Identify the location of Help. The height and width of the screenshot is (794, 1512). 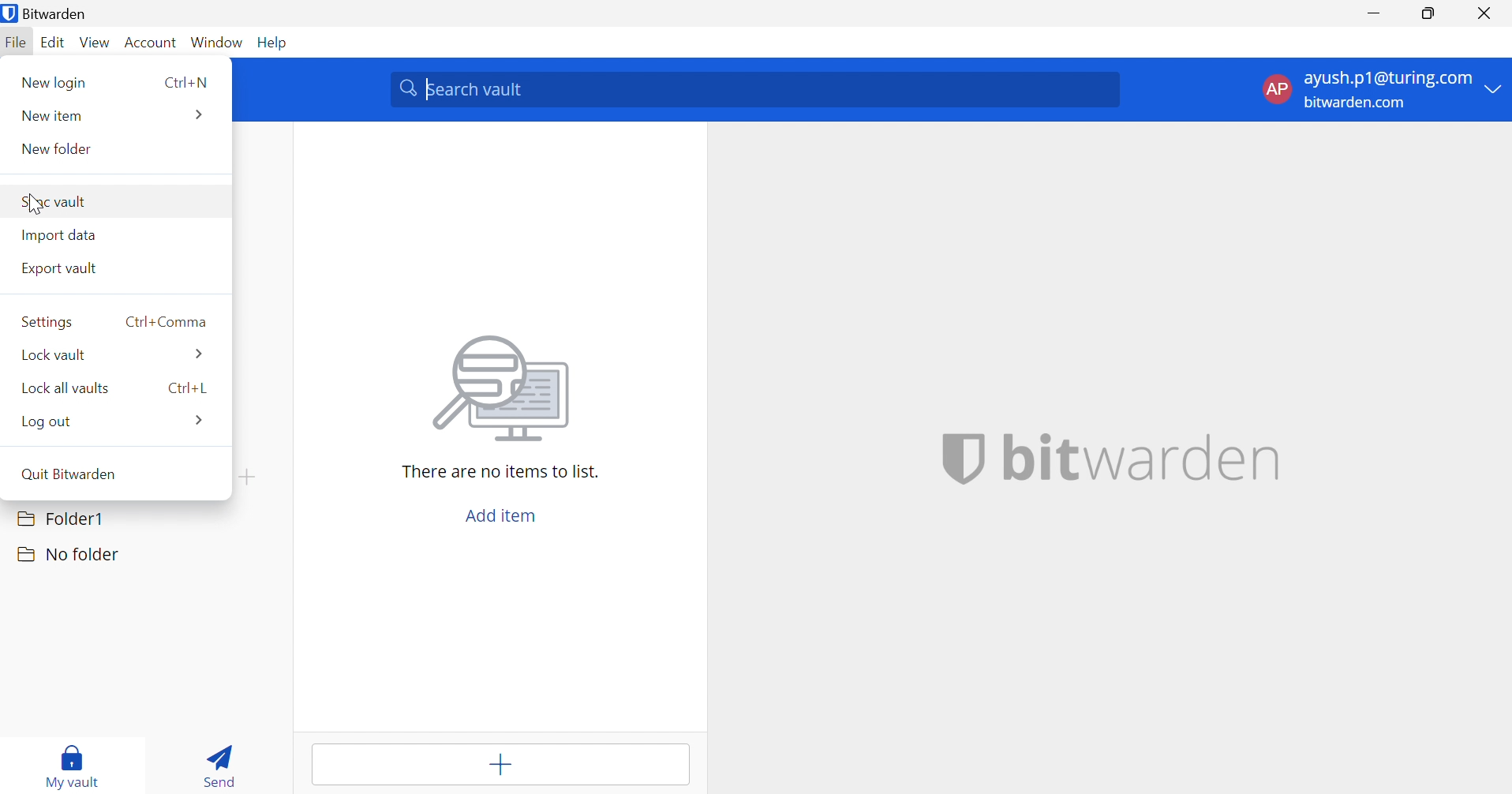
(276, 43).